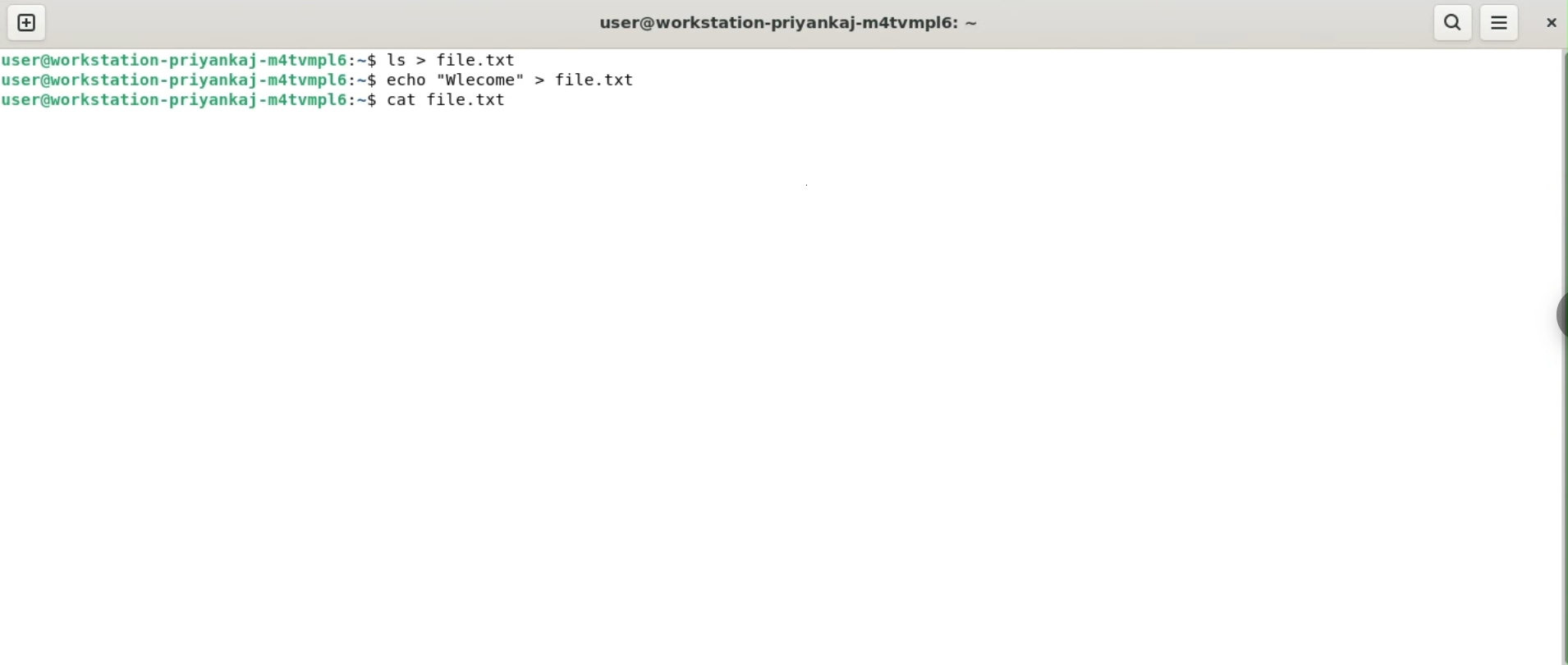 The image size is (1568, 665). Describe the element at coordinates (28, 22) in the screenshot. I see `new tab` at that location.